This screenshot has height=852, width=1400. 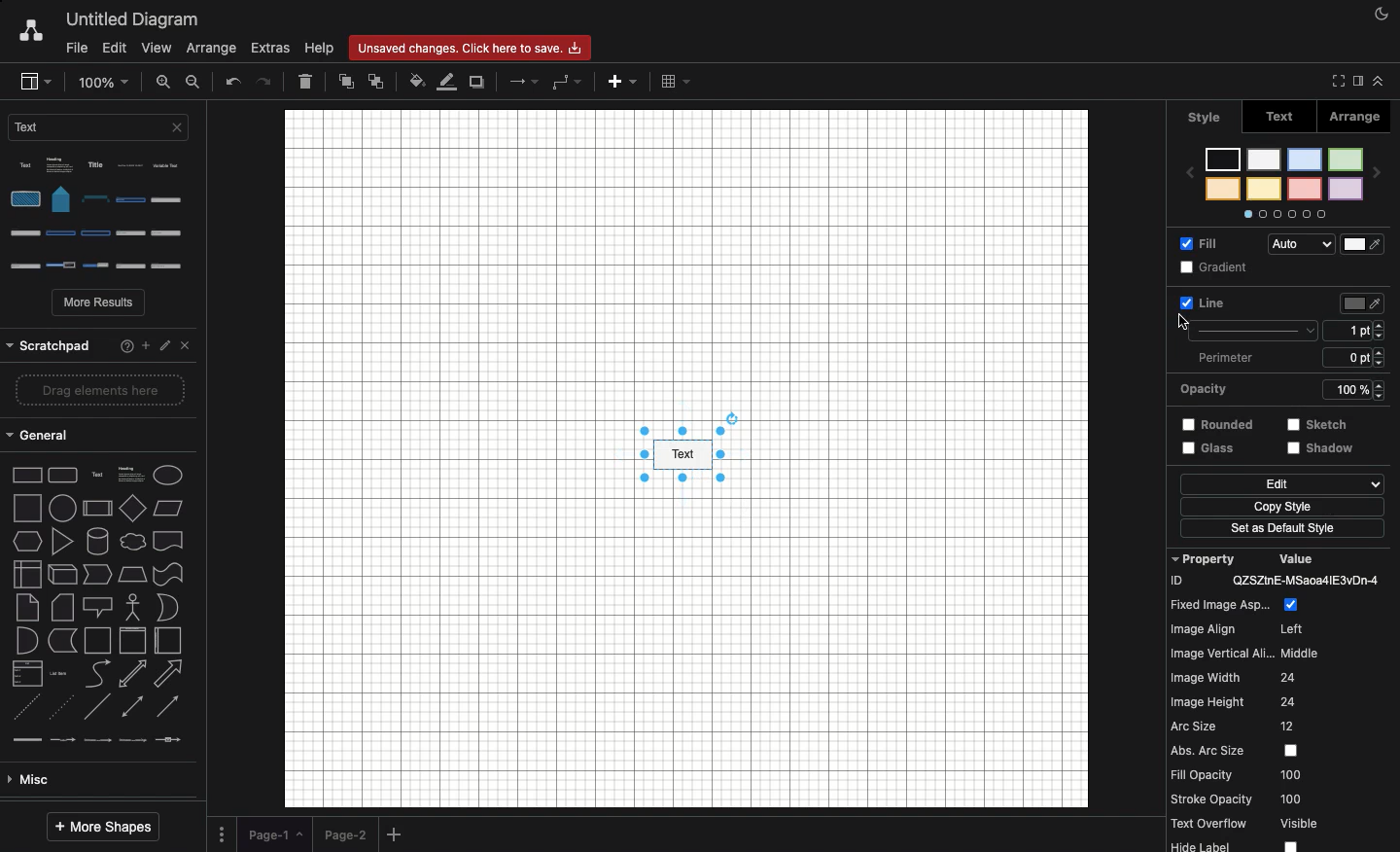 What do you see at coordinates (1280, 119) in the screenshot?
I see `Text` at bounding box center [1280, 119].